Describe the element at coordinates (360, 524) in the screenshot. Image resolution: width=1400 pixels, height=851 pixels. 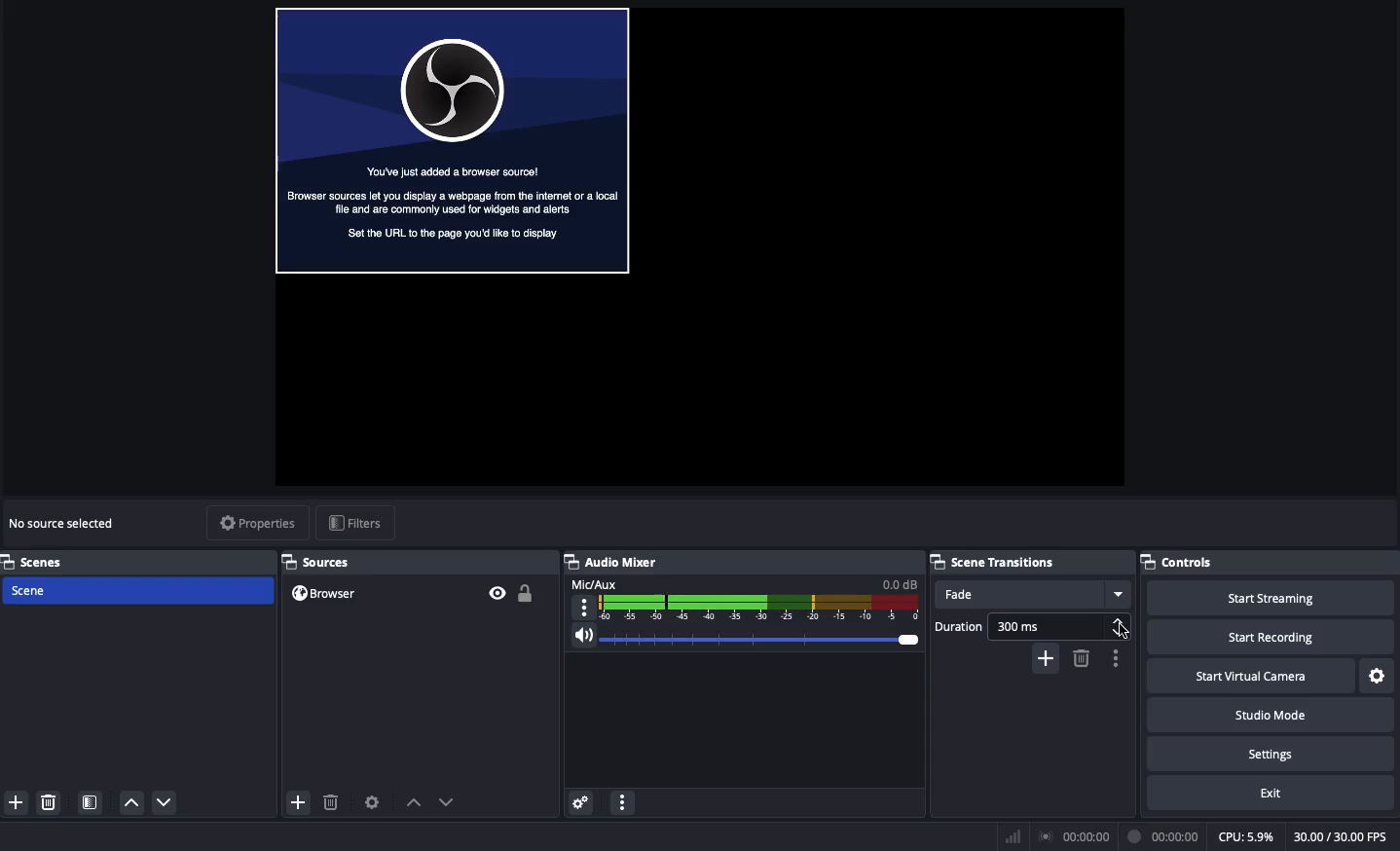
I see `filters` at that location.